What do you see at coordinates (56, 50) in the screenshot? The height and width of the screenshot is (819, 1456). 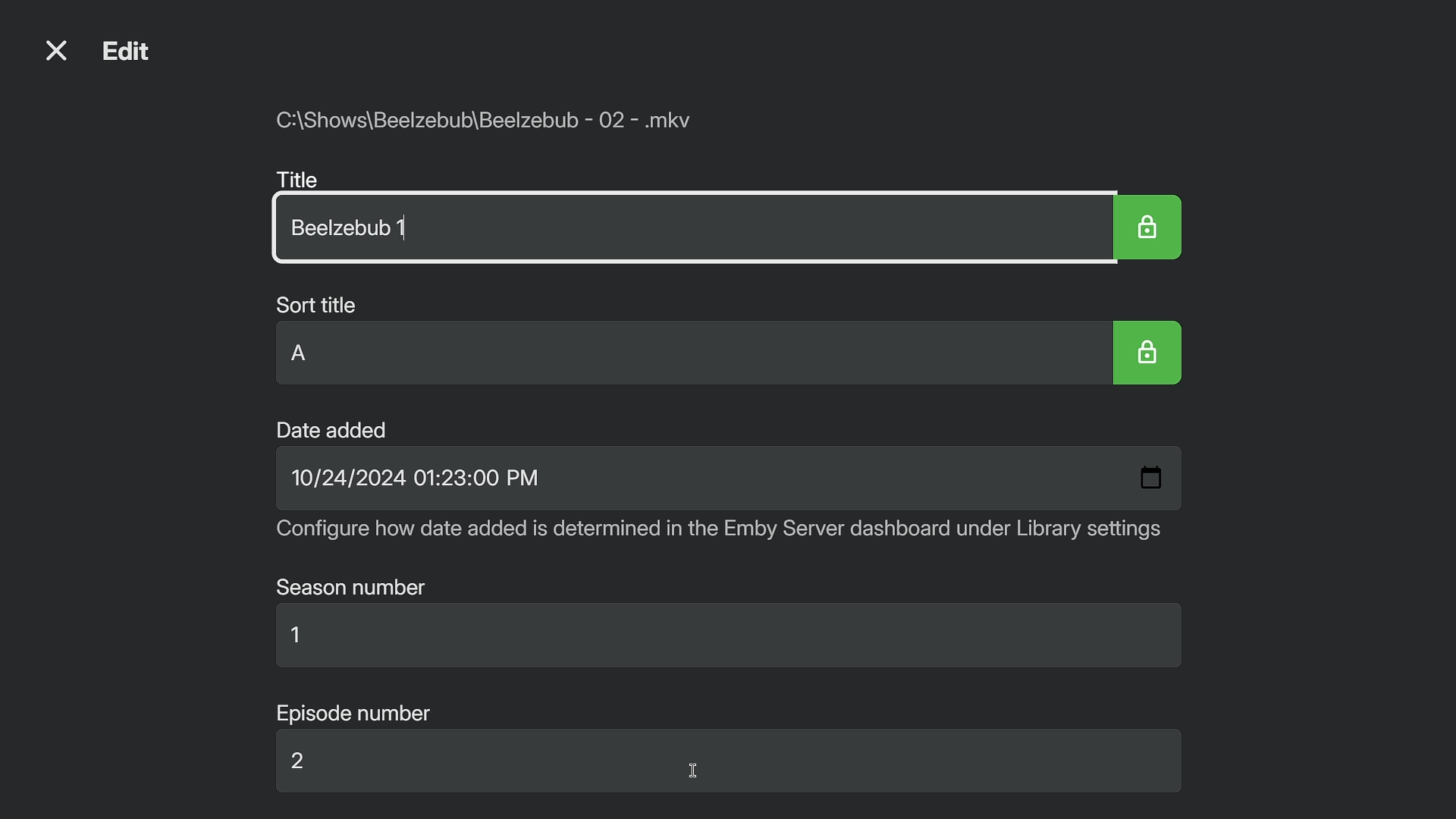 I see `Close` at bounding box center [56, 50].